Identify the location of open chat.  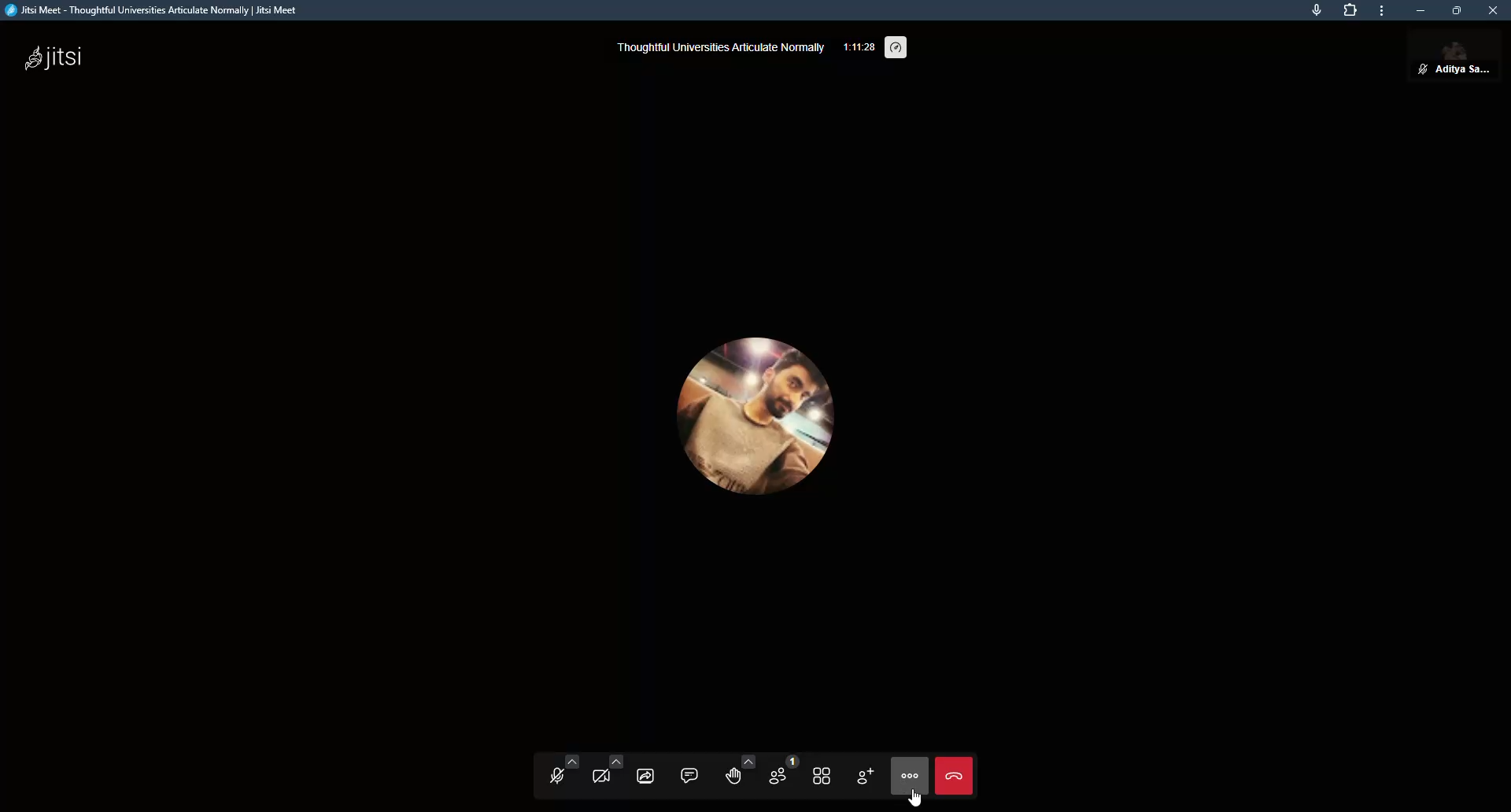
(692, 773).